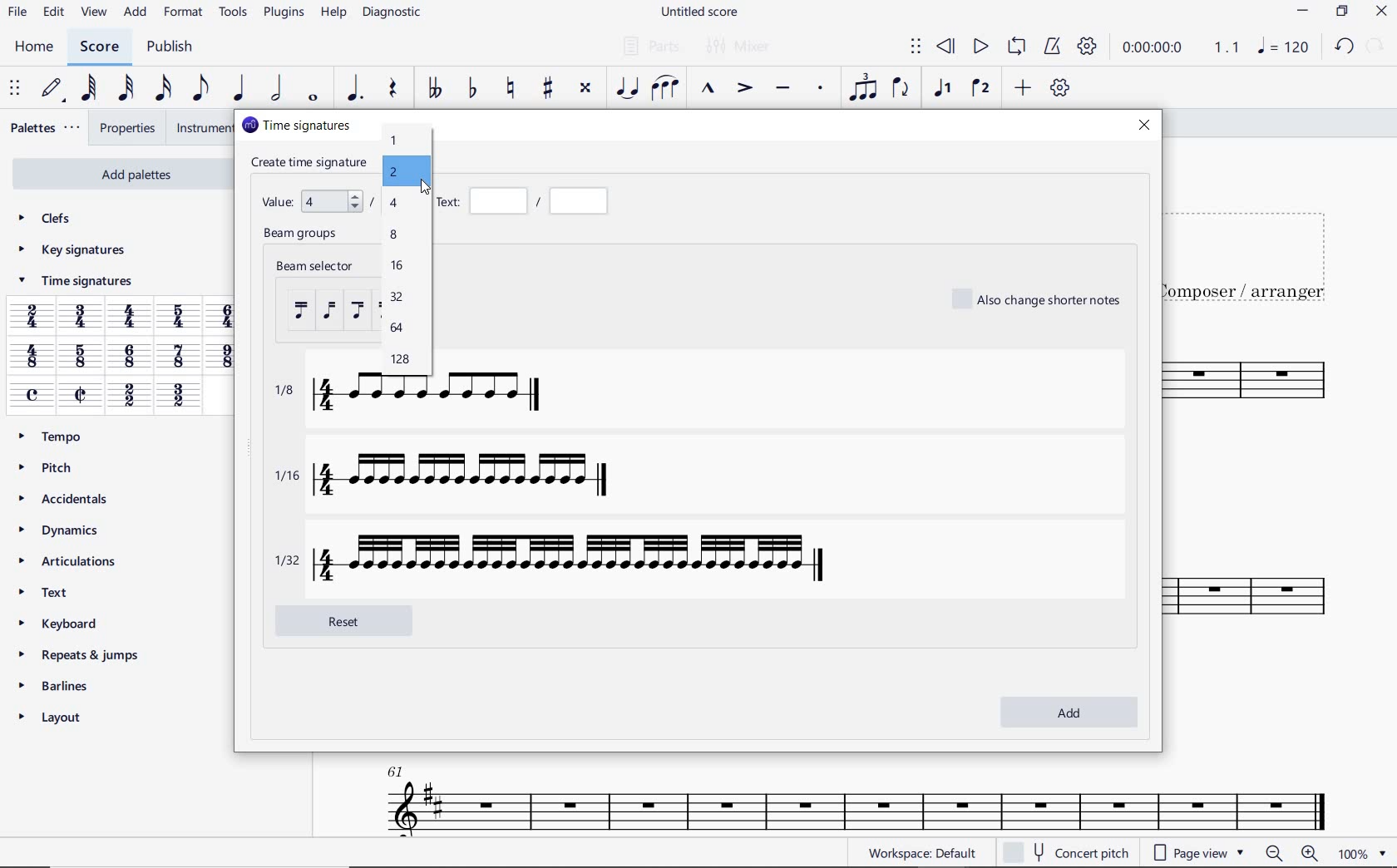 This screenshot has height=868, width=1397. I want to click on TOGGLE DOUBLE-SHARP, so click(585, 88).